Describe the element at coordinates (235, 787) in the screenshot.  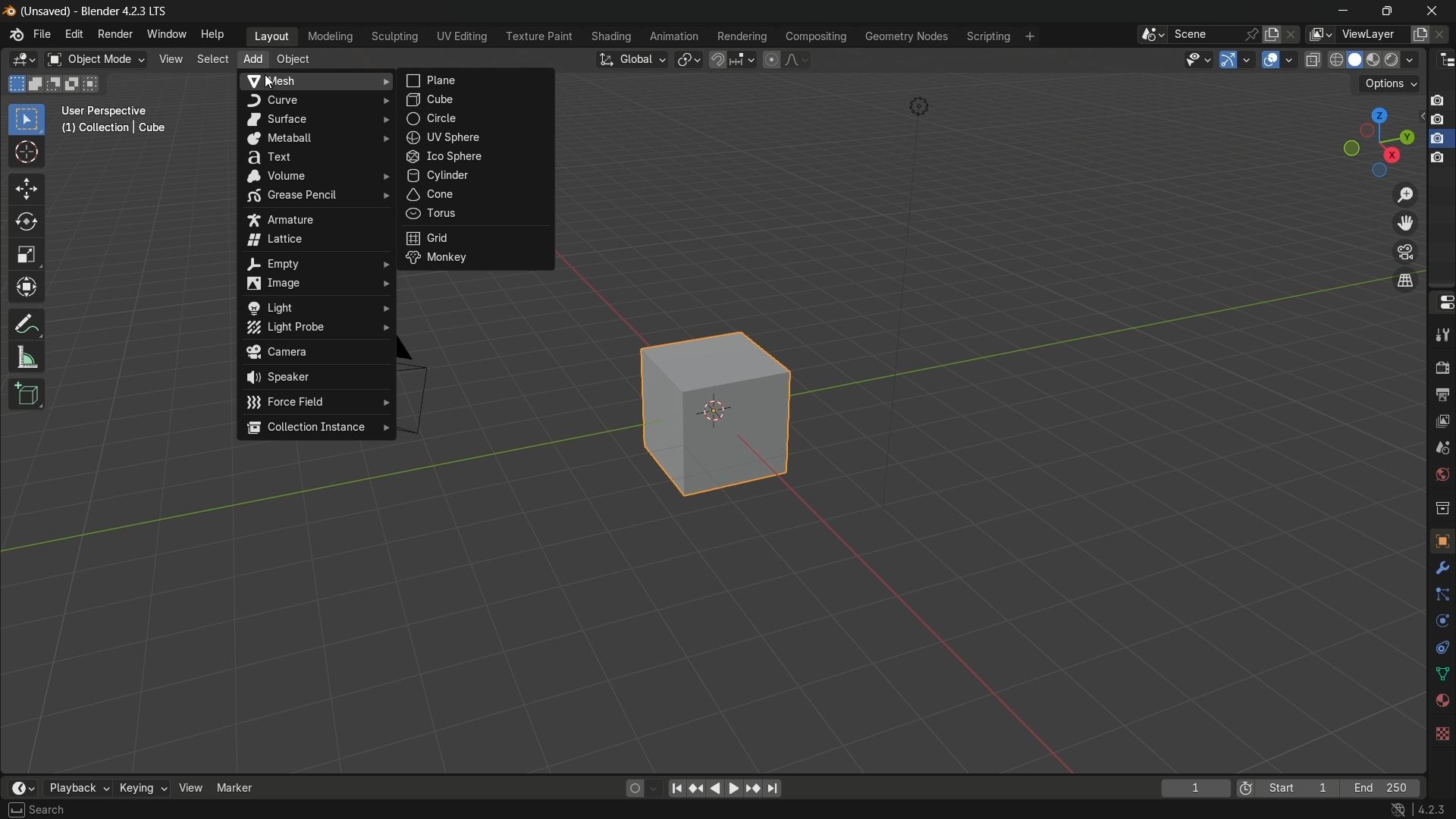
I see `marker` at that location.